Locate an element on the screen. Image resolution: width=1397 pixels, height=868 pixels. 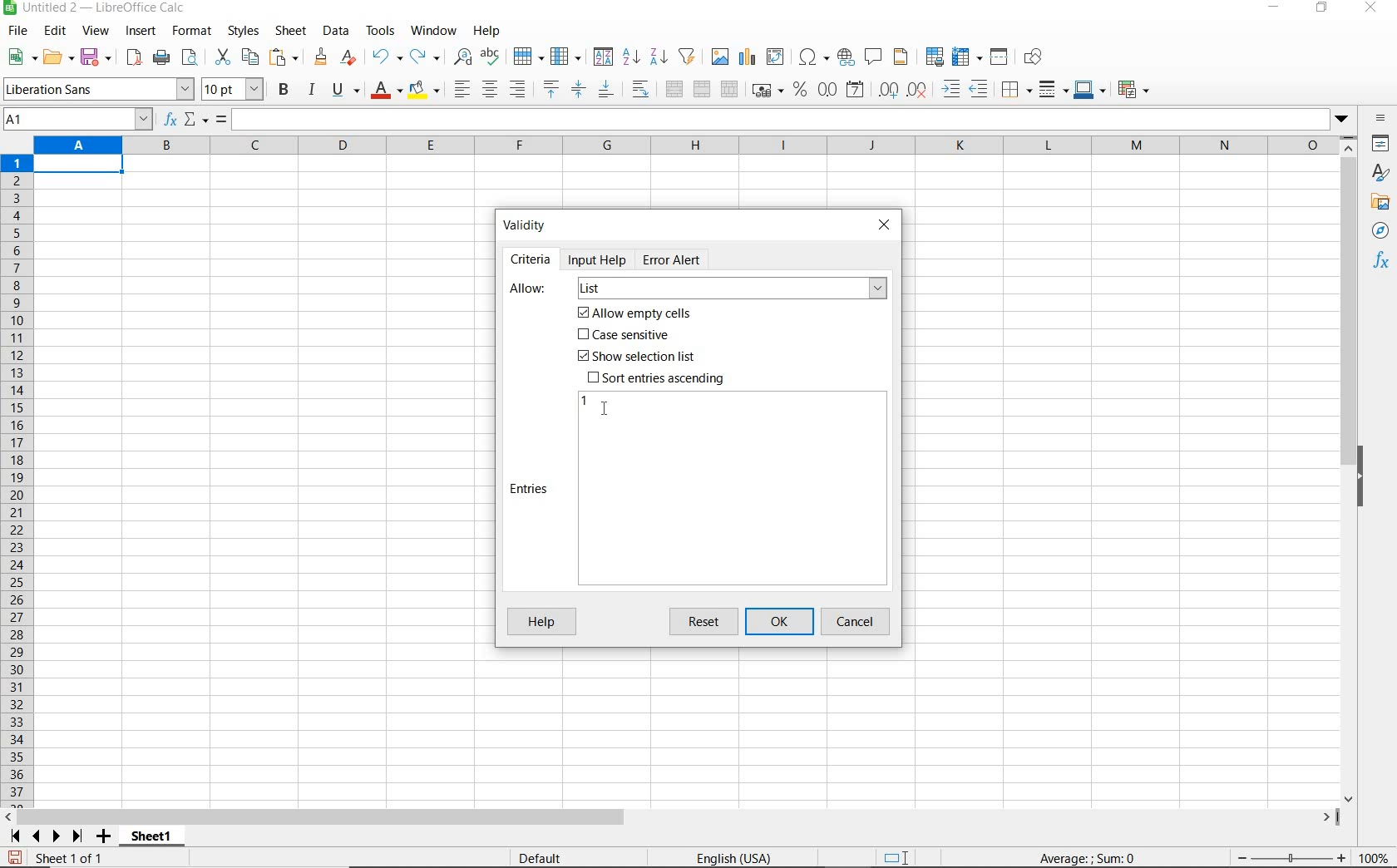
align center is located at coordinates (490, 90).